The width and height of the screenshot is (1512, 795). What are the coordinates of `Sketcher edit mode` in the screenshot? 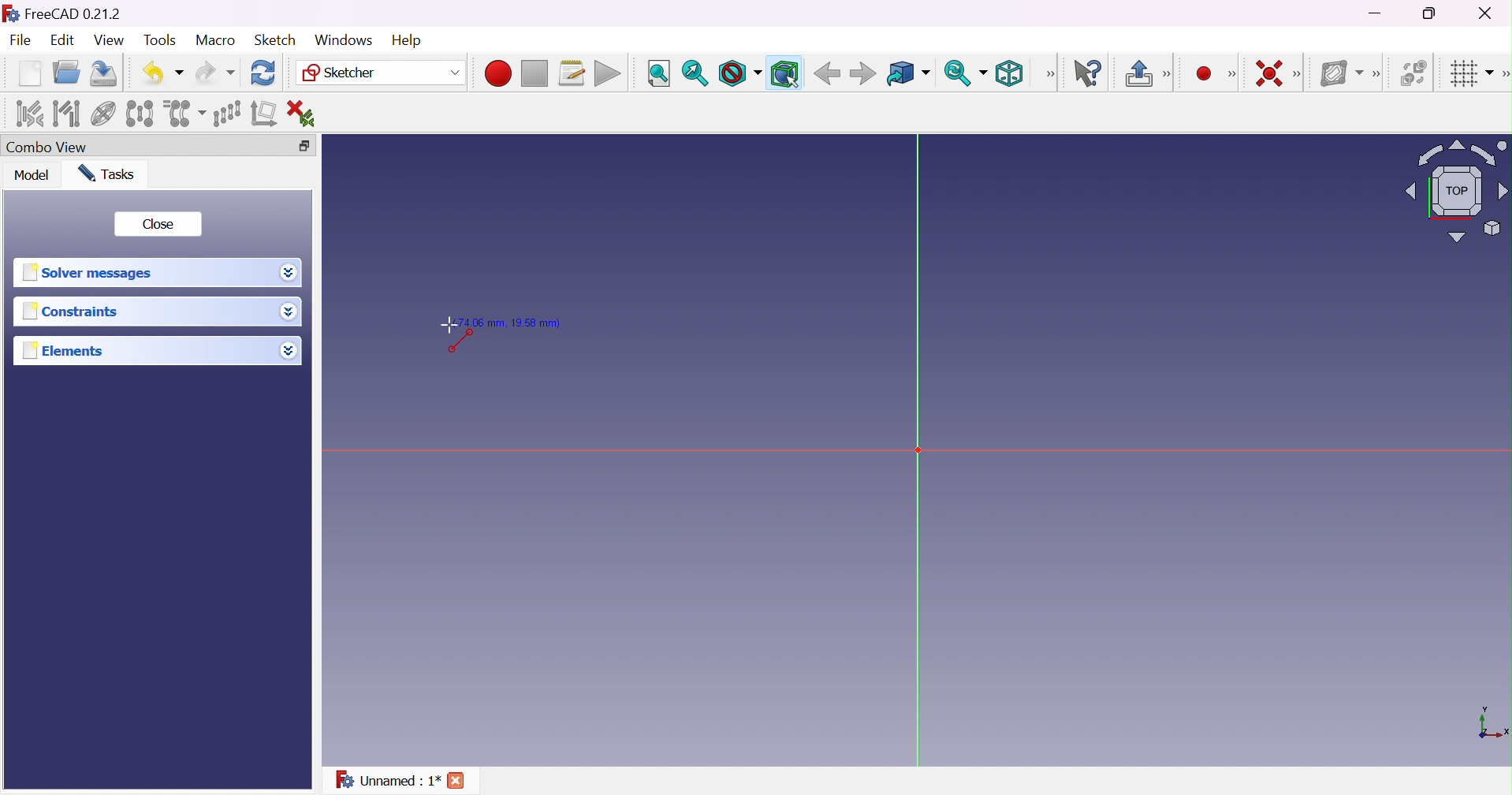 It's located at (1168, 75).